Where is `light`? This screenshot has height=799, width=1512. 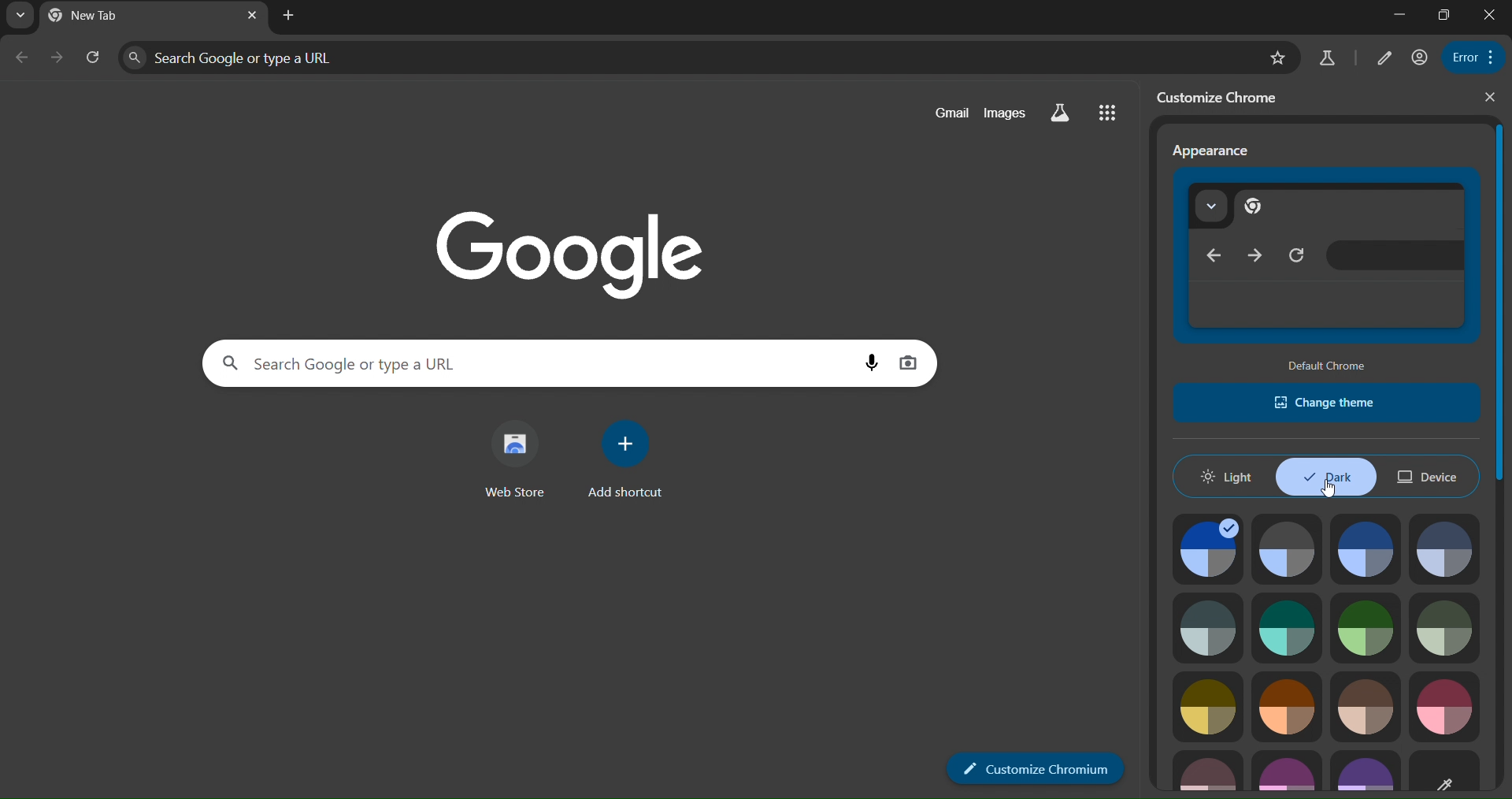
light is located at coordinates (1227, 477).